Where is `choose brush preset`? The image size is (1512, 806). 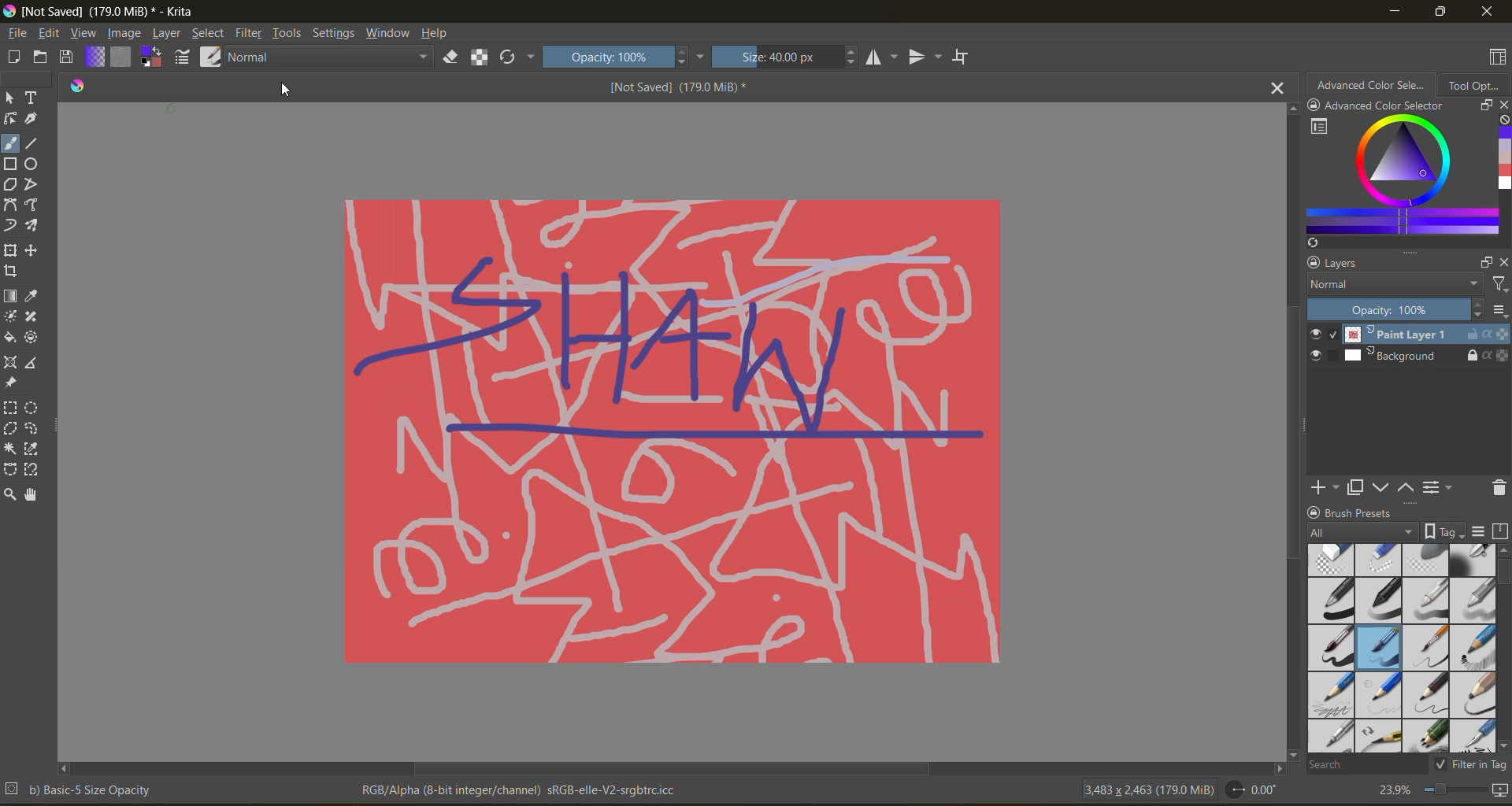
choose brush preset is located at coordinates (212, 57).